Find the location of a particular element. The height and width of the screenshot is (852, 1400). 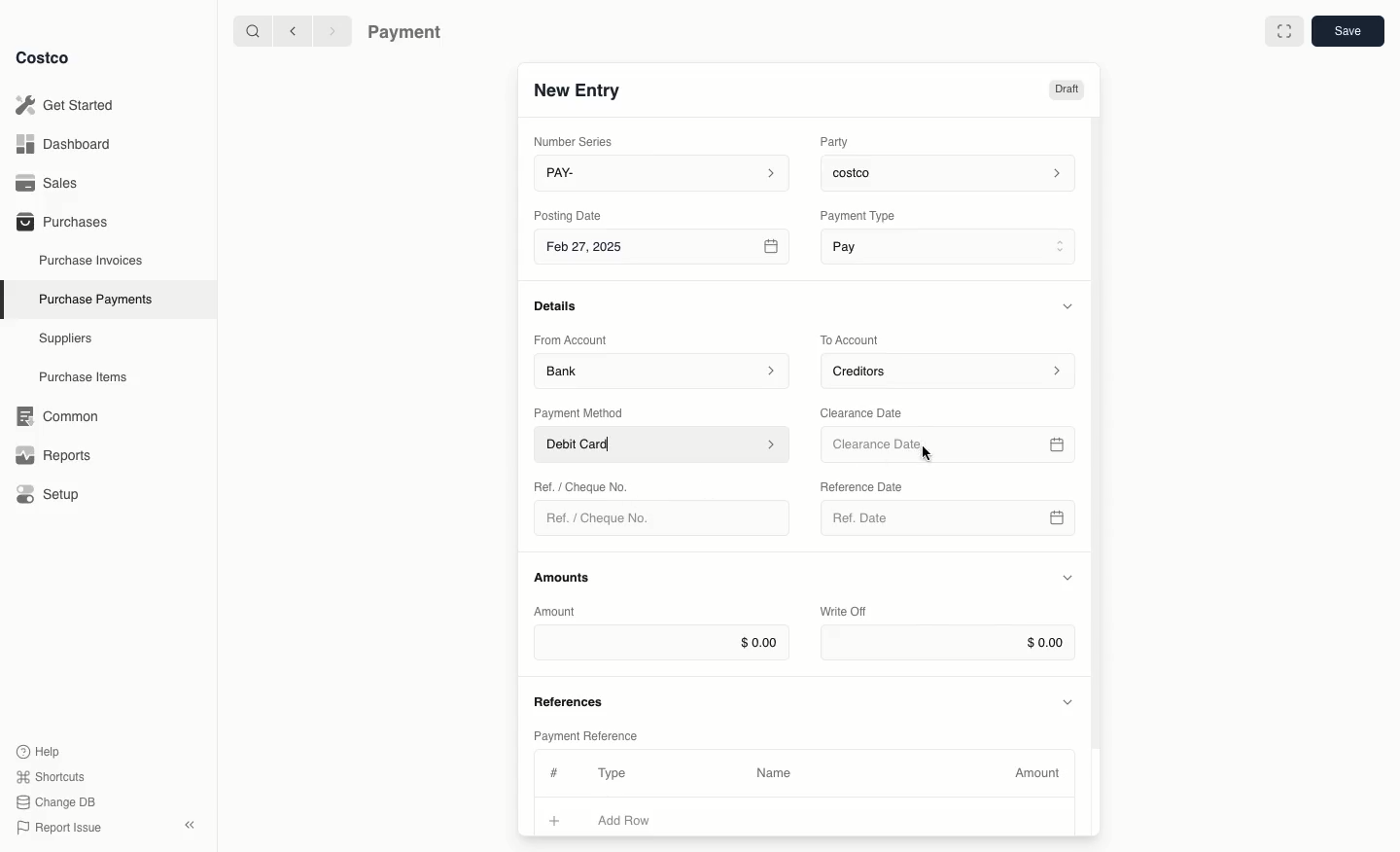

New Entry is located at coordinates (578, 89).